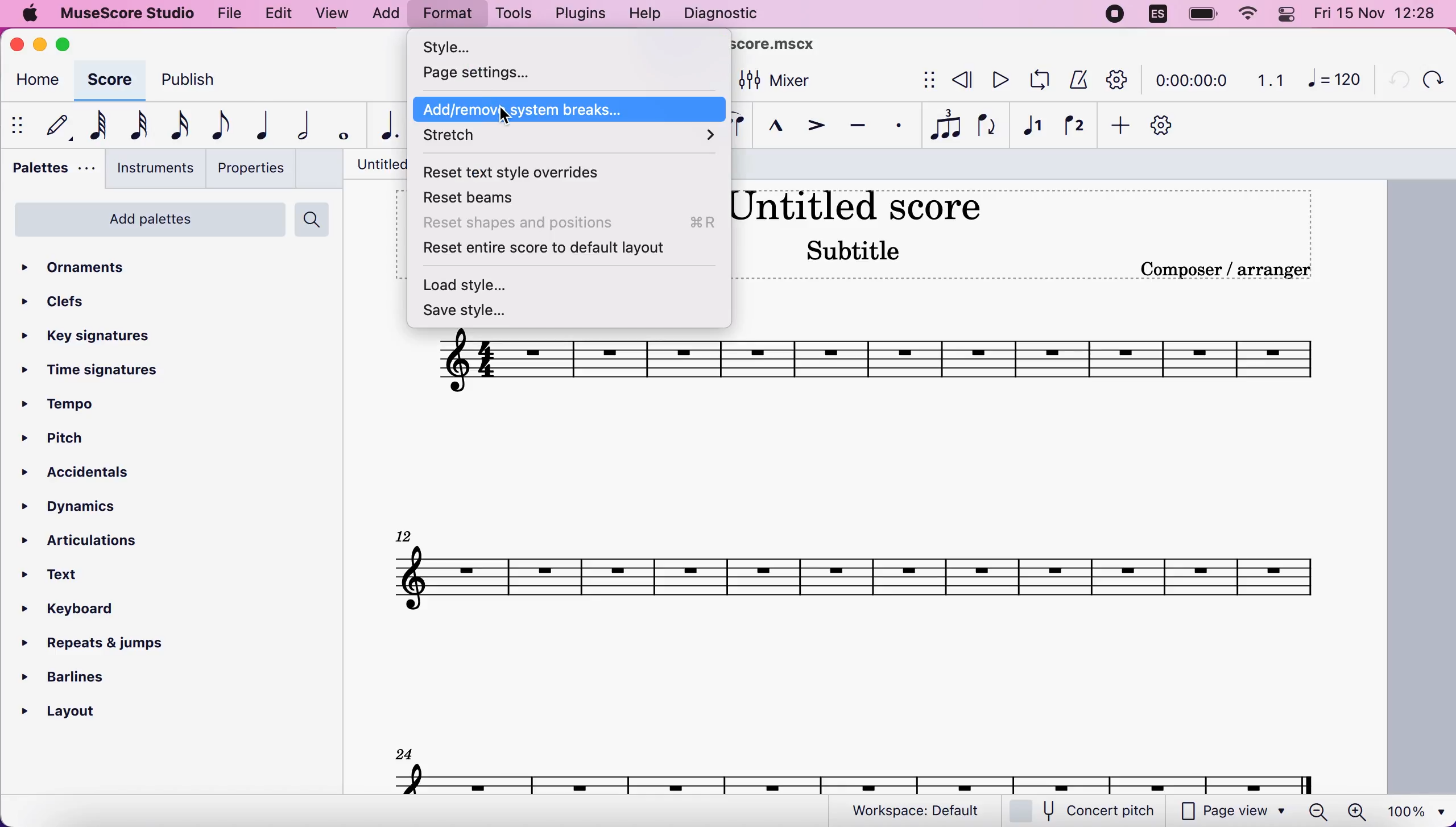 The width and height of the screenshot is (1456, 827). I want to click on recording stopped, so click(1116, 15).